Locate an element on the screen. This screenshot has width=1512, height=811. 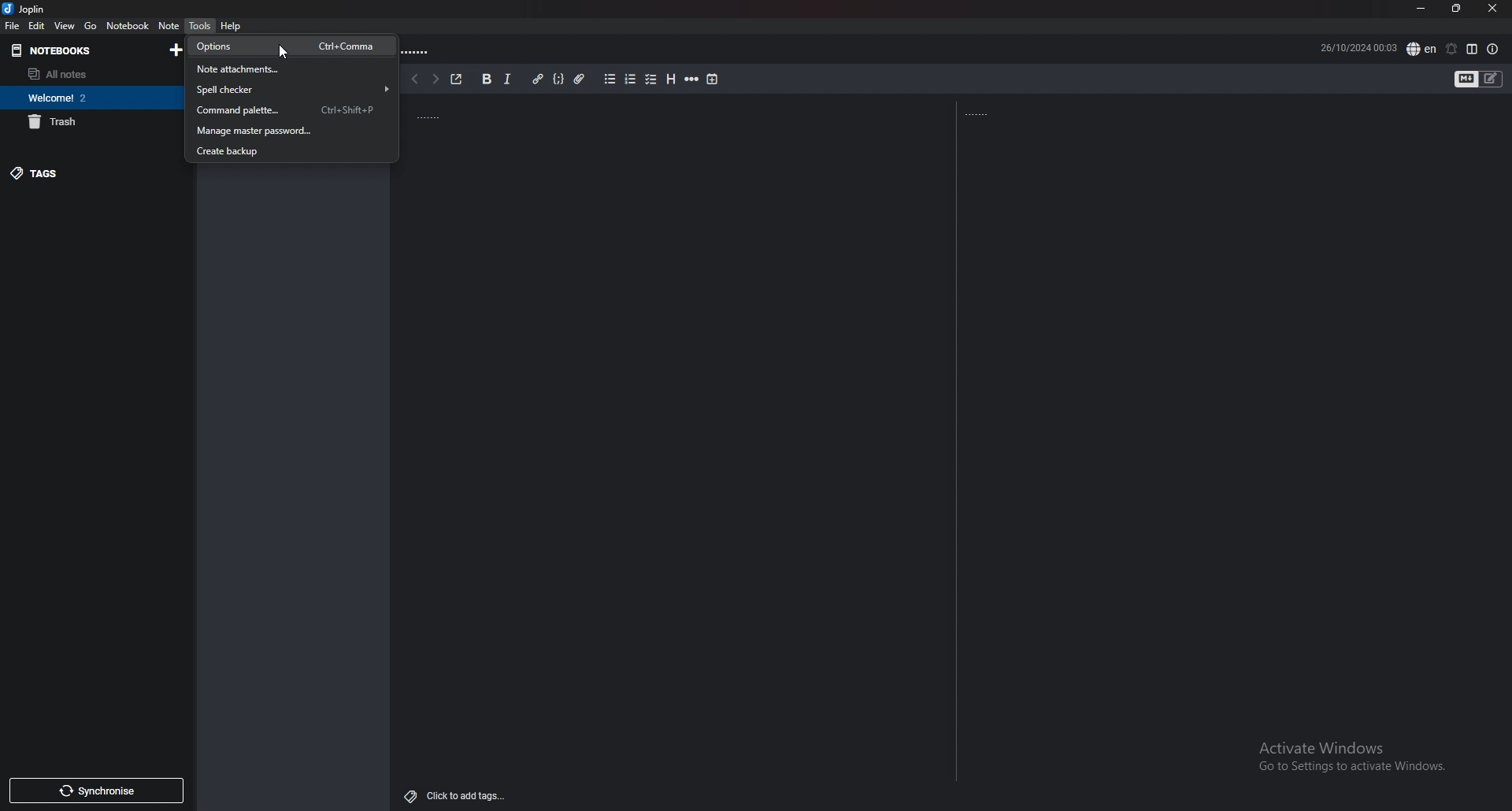
toggle editors is located at coordinates (1466, 80).